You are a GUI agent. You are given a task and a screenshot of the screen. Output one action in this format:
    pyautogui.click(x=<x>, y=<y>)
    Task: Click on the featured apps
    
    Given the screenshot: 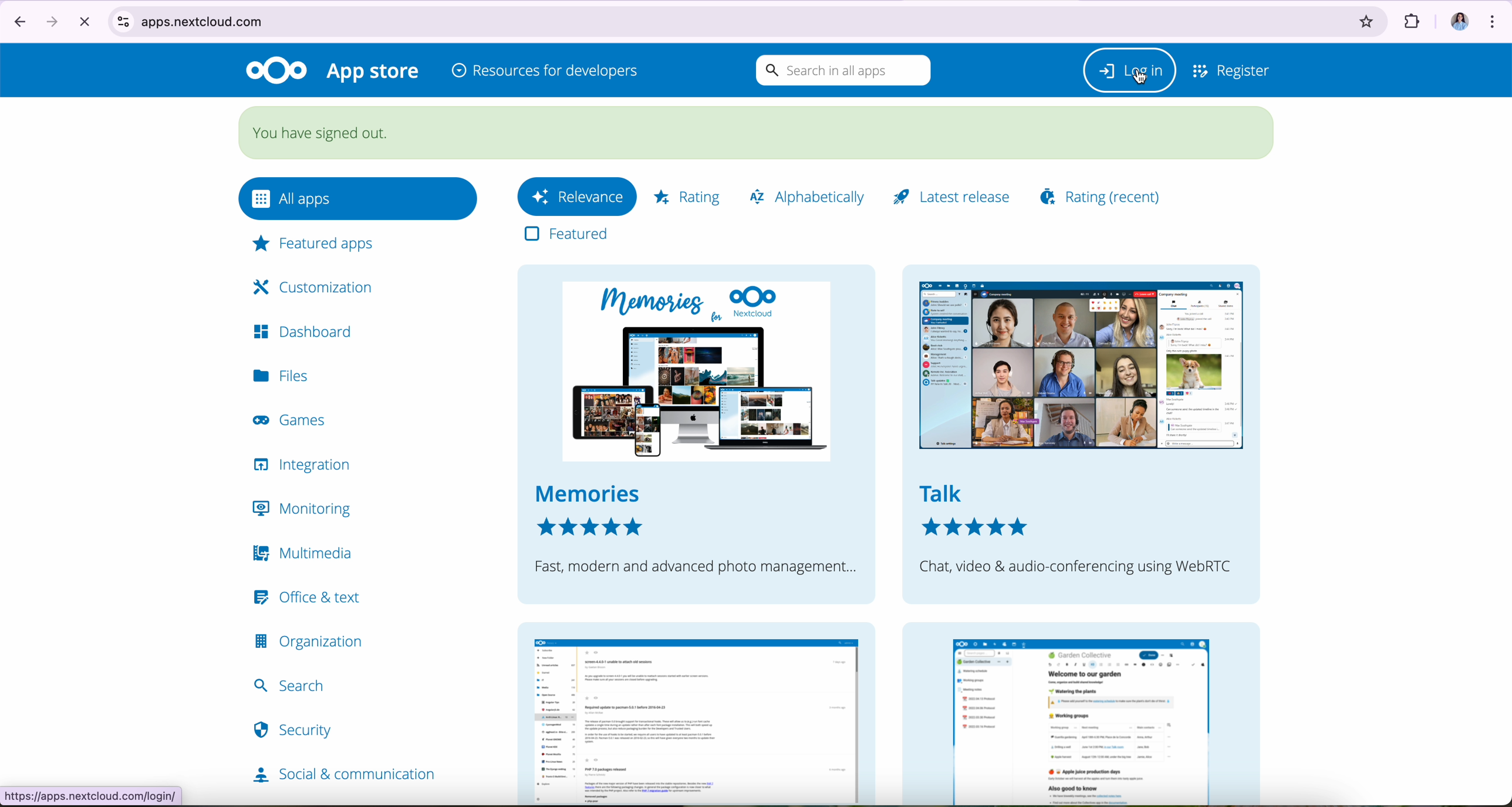 What is the action you would take?
    pyautogui.click(x=326, y=245)
    